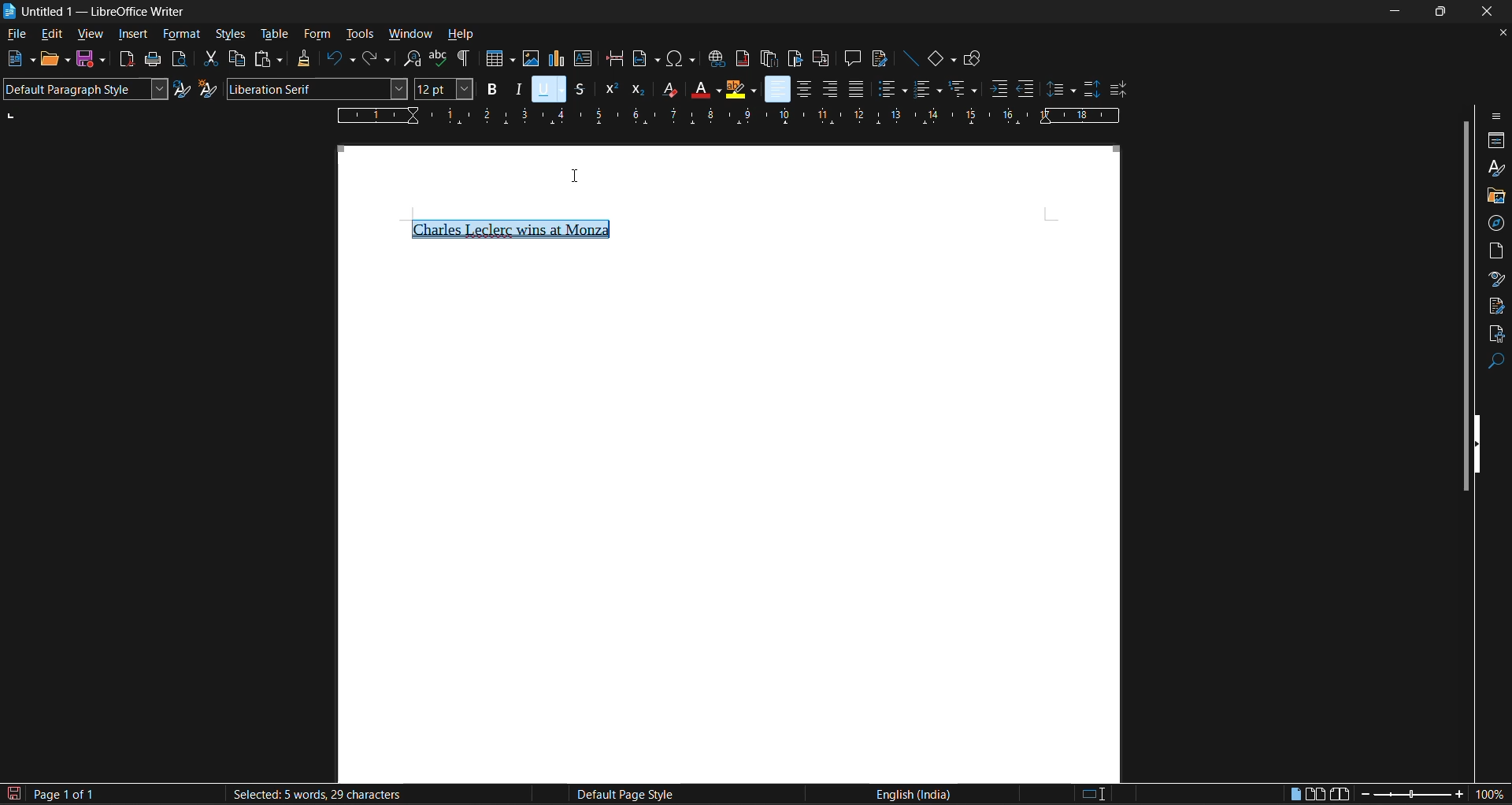 The image size is (1512, 805). I want to click on toggle unordered list, so click(891, 87).